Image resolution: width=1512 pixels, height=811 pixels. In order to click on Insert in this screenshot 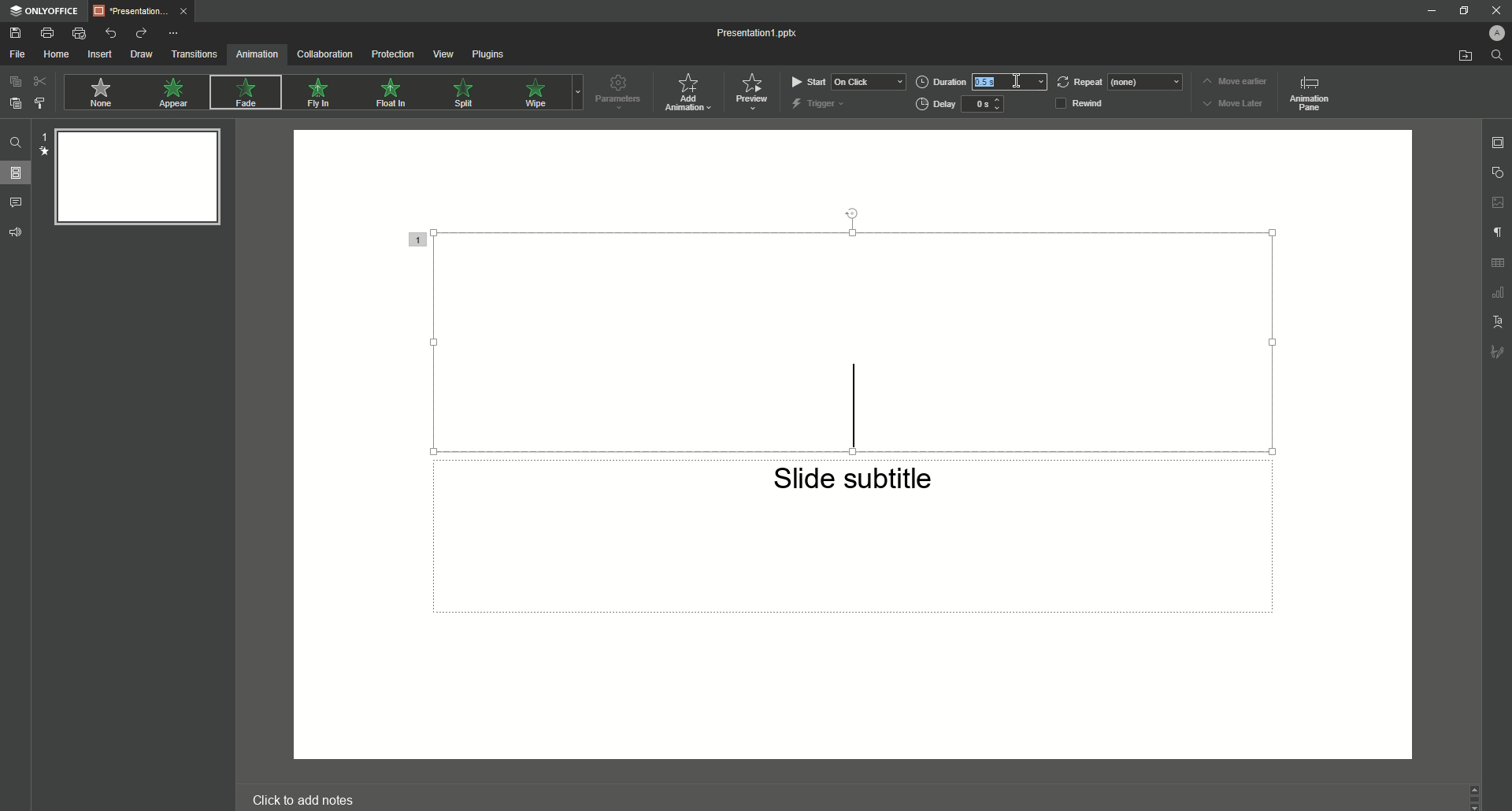, I will do `click(101, 54)`.